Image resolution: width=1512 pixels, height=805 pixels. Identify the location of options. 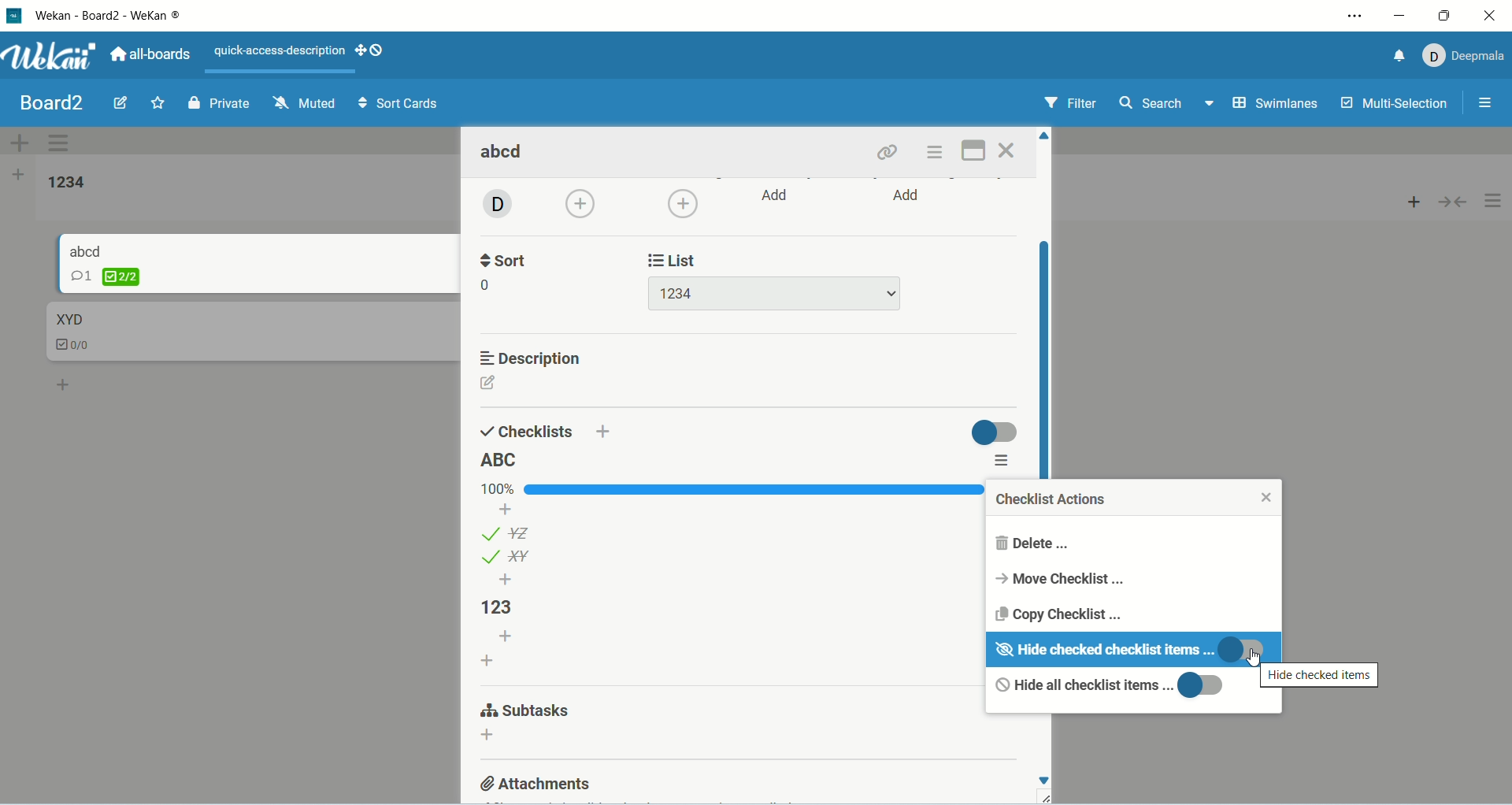
(938, 153).